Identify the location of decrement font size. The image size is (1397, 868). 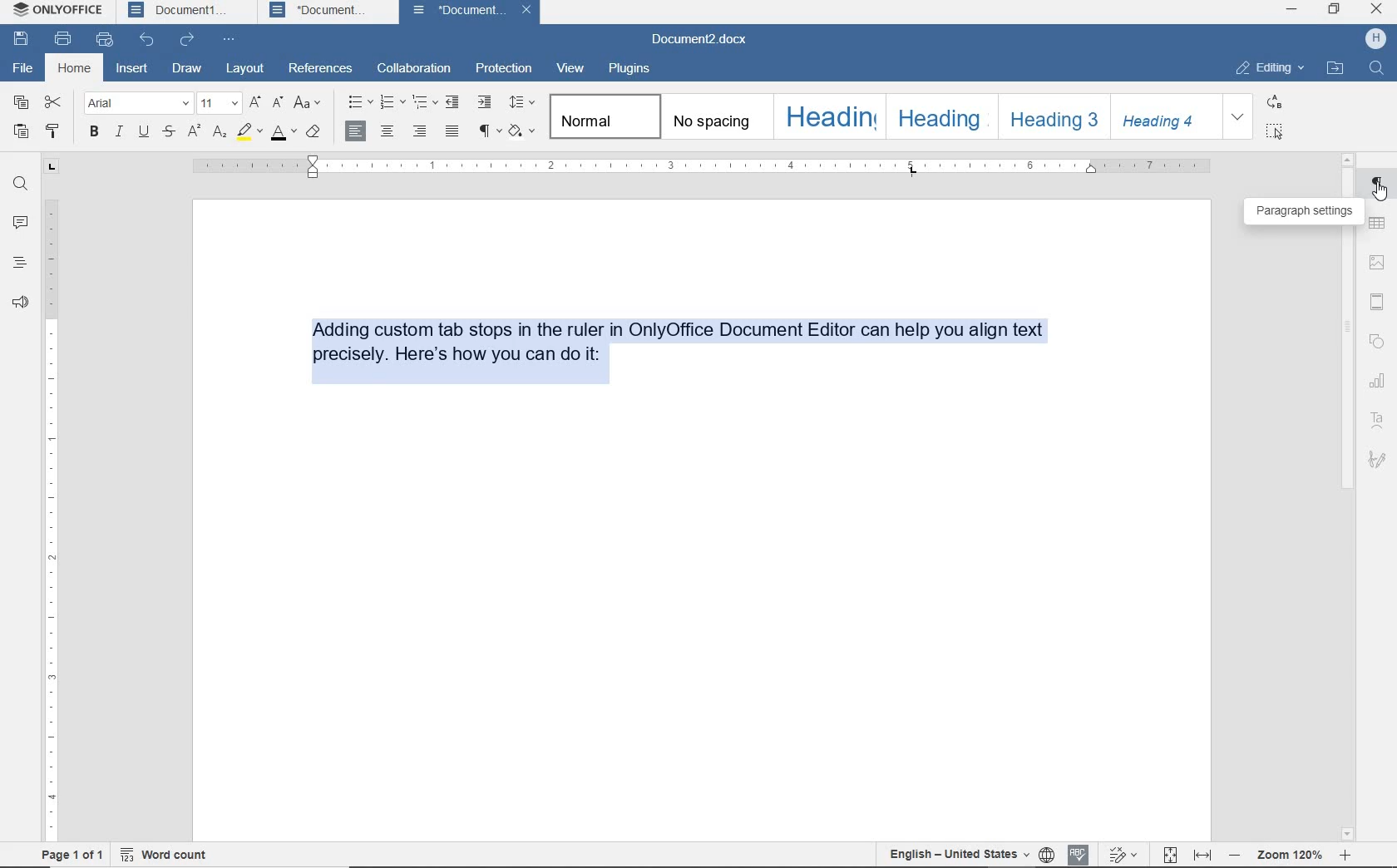
(277, 104).